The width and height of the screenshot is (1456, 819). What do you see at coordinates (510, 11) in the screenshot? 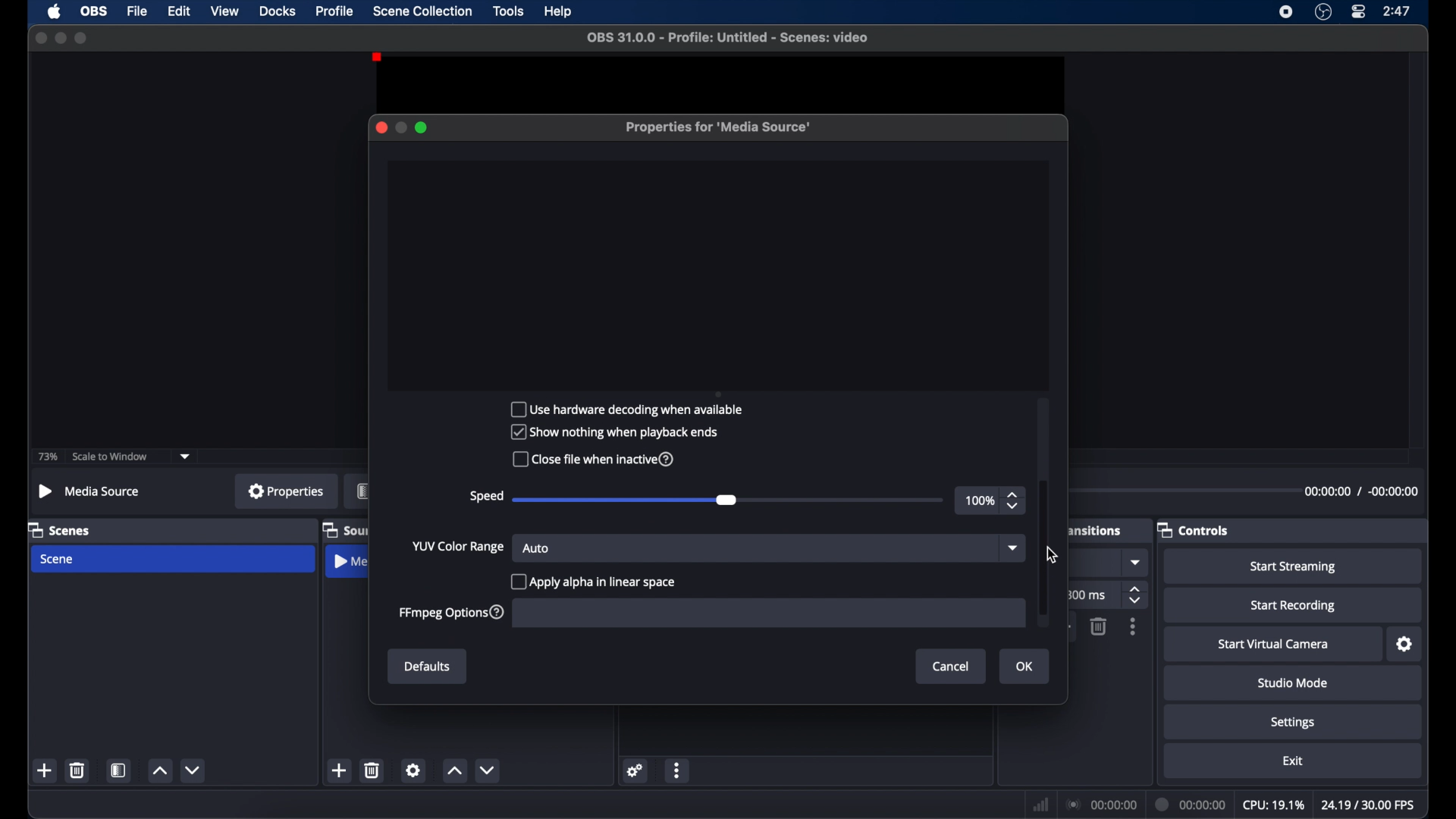
I see `tools` at bounding box center [510, 11].